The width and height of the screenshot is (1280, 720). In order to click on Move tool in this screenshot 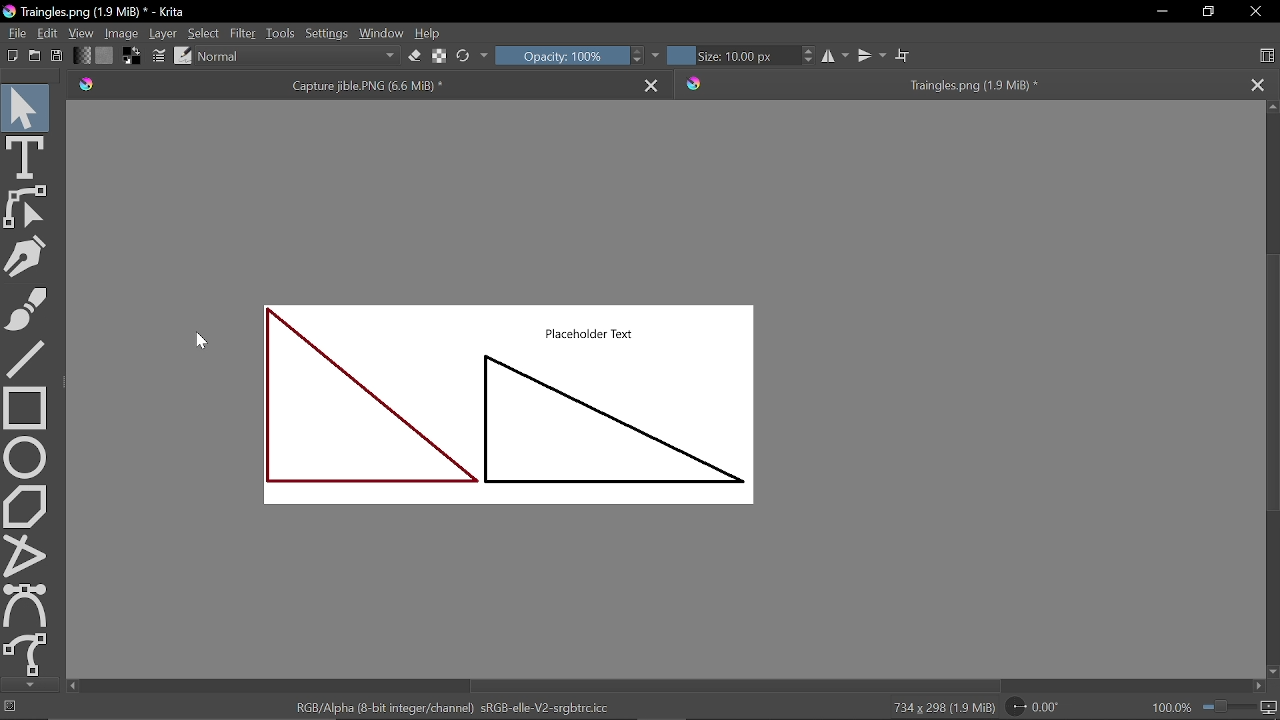, I will do `click(25, 104)`.